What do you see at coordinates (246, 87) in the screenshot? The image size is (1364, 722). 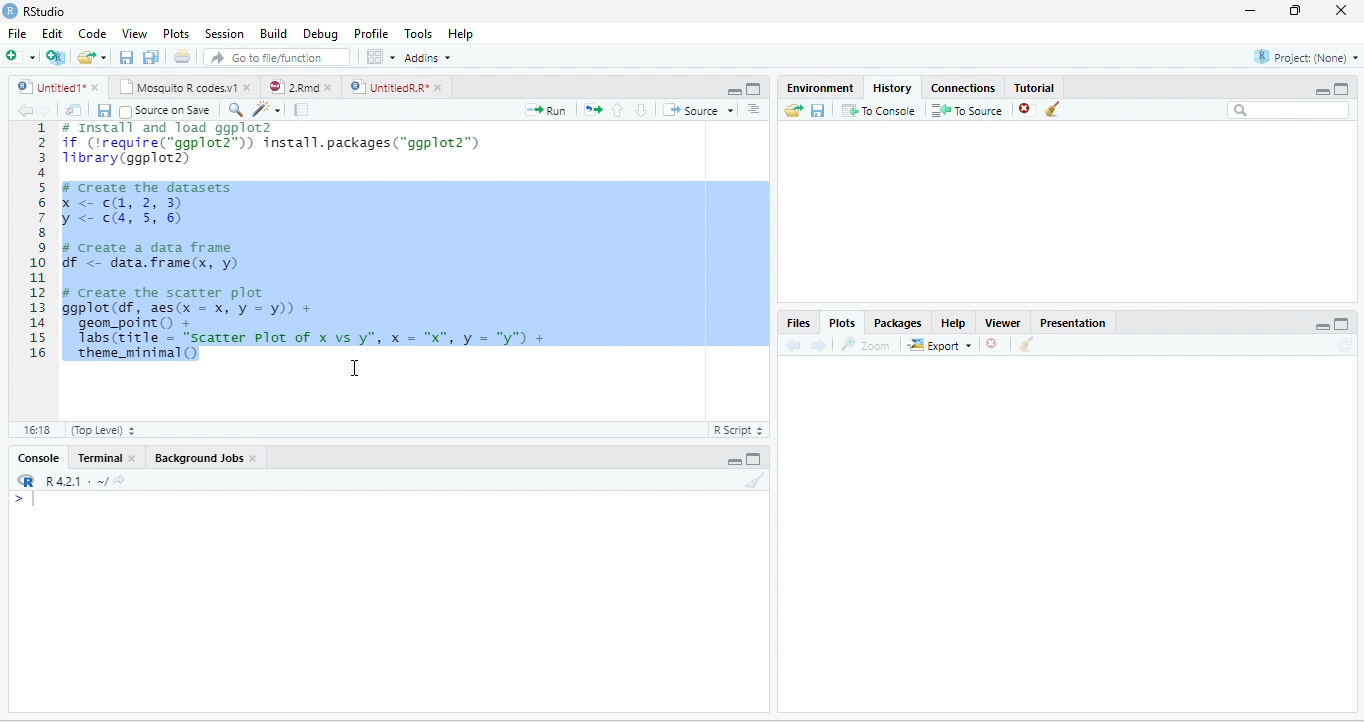 I see `close` at bounding box center [246, 87].